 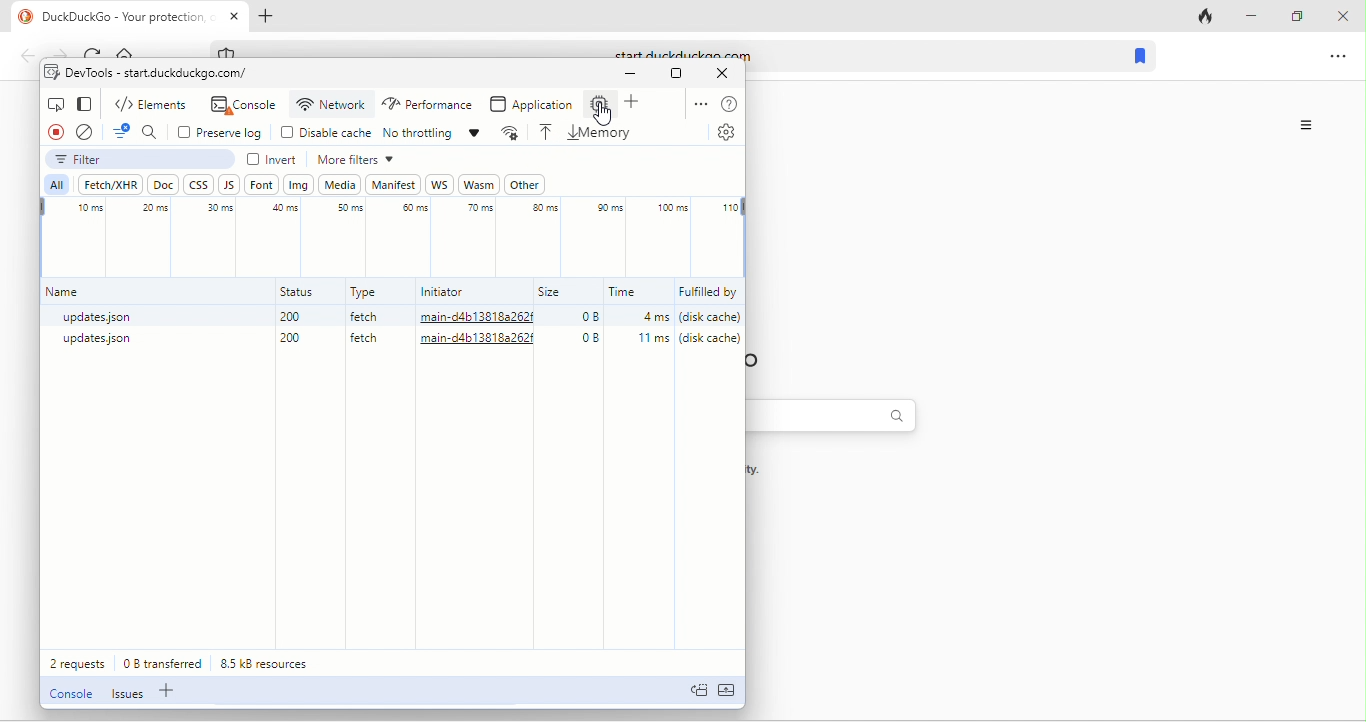 What do you see at coordinates (532, 102) in the screenshot?
I see `application` at bounding box center [532, 102].